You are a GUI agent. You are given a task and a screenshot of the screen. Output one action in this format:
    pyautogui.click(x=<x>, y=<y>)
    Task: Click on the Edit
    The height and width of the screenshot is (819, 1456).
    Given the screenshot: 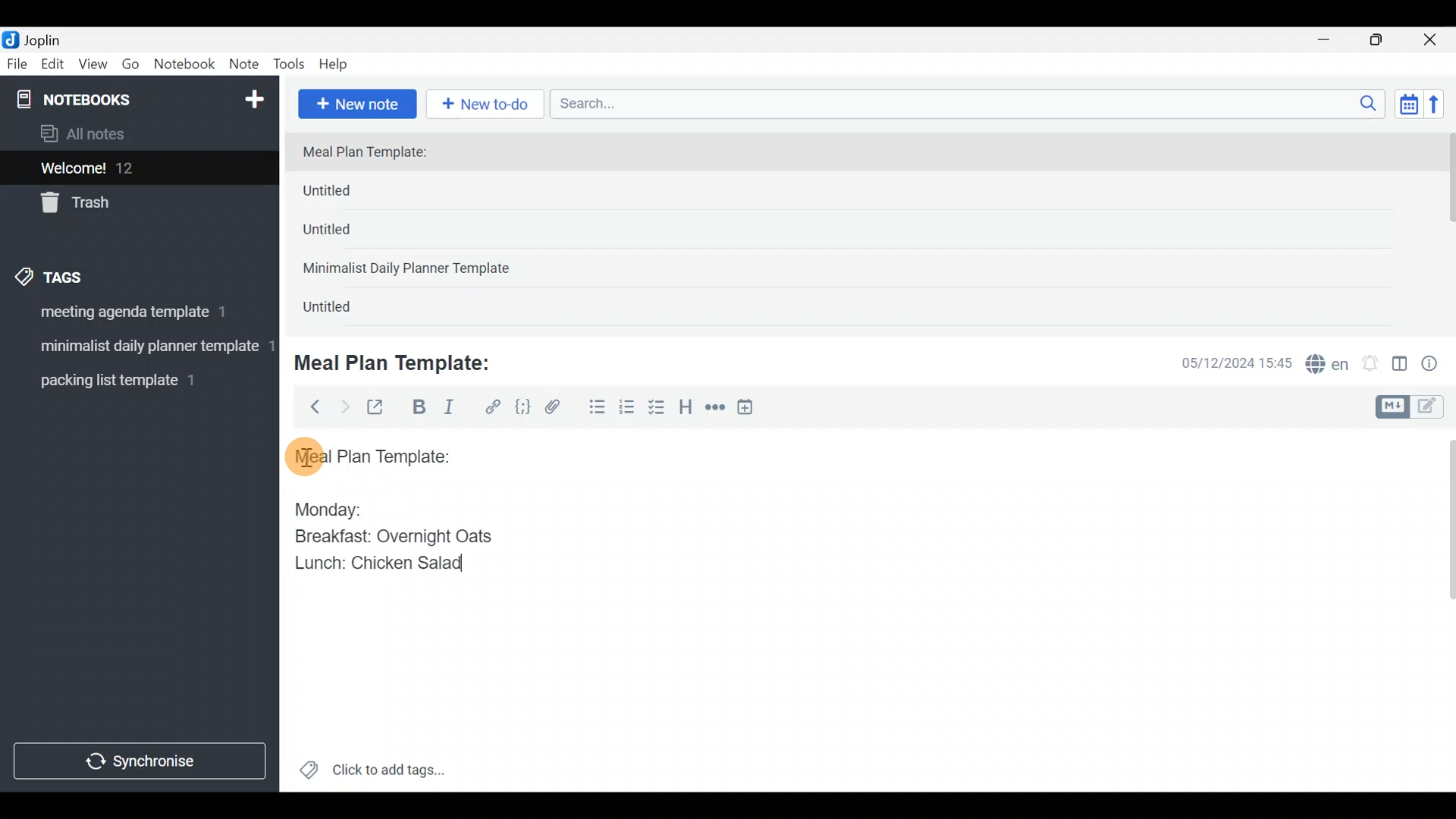 What is the action you would take?
    pyautogui.click(x=53, y=67)
    